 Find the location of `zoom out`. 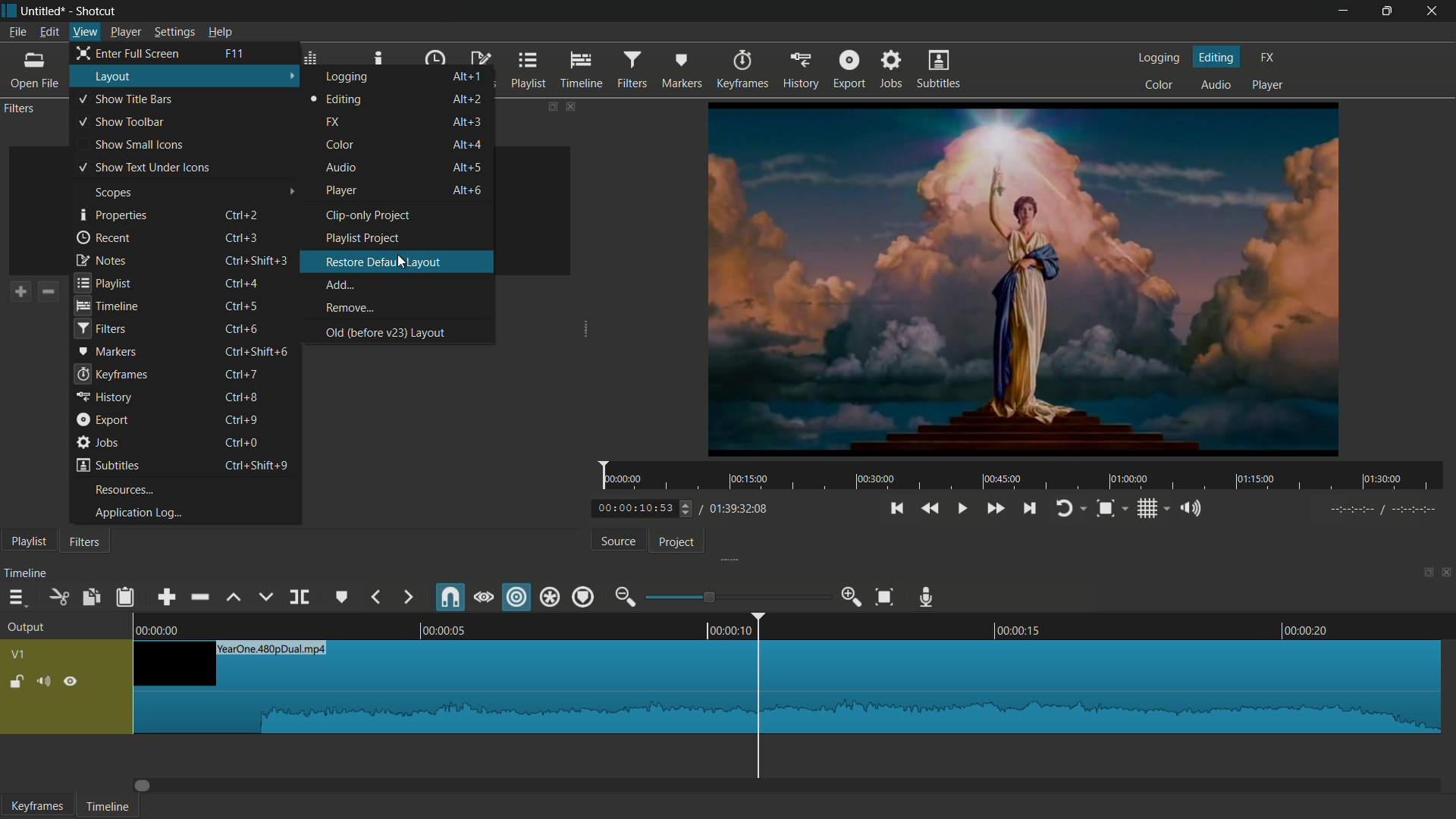

zoom out is located at coordinates (624, 597).